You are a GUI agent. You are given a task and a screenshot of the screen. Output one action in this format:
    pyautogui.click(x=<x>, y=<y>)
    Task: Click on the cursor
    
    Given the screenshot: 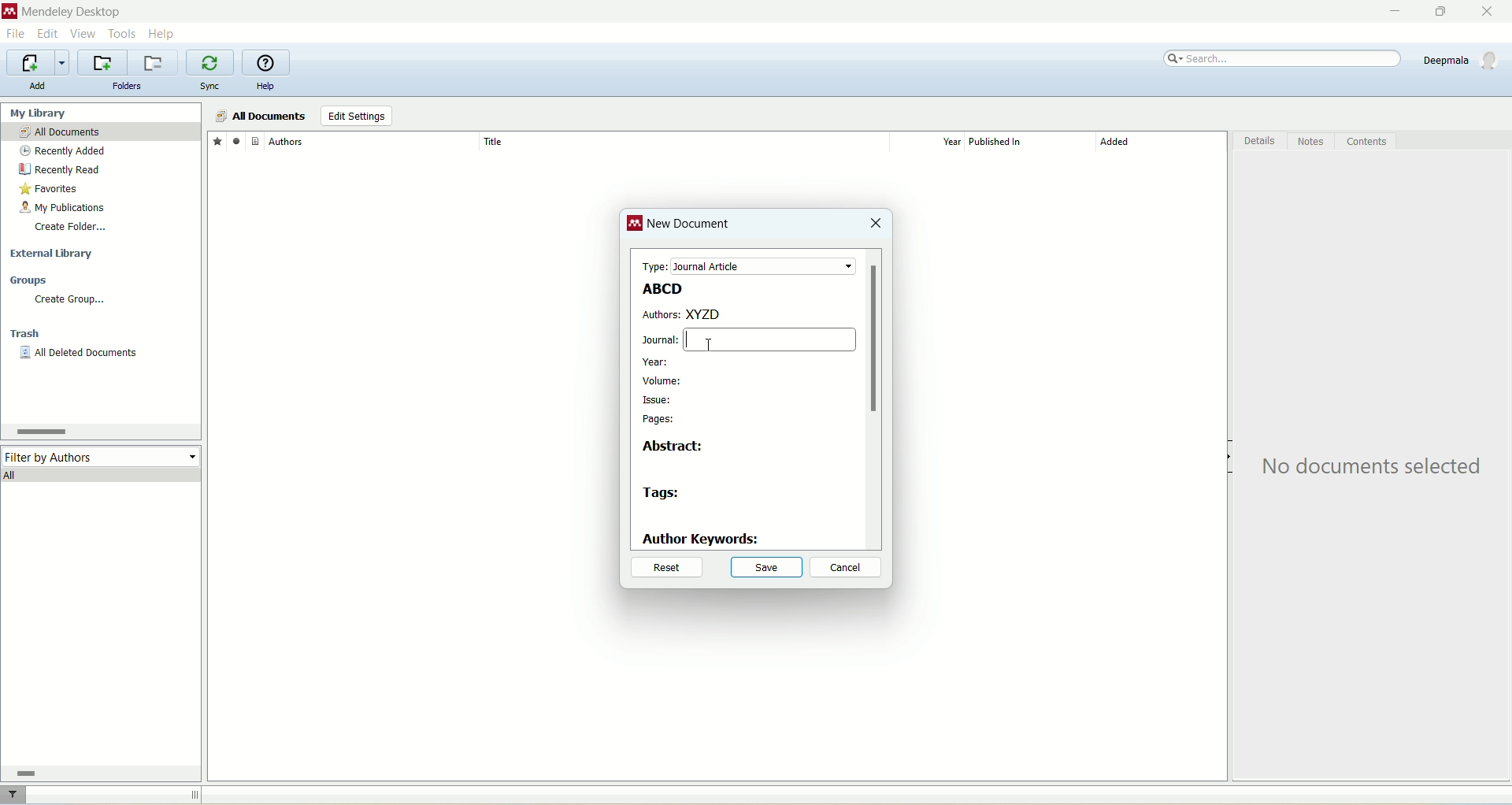 What is the action you would take?
    pyautogui.click(x=687, y=339)
    